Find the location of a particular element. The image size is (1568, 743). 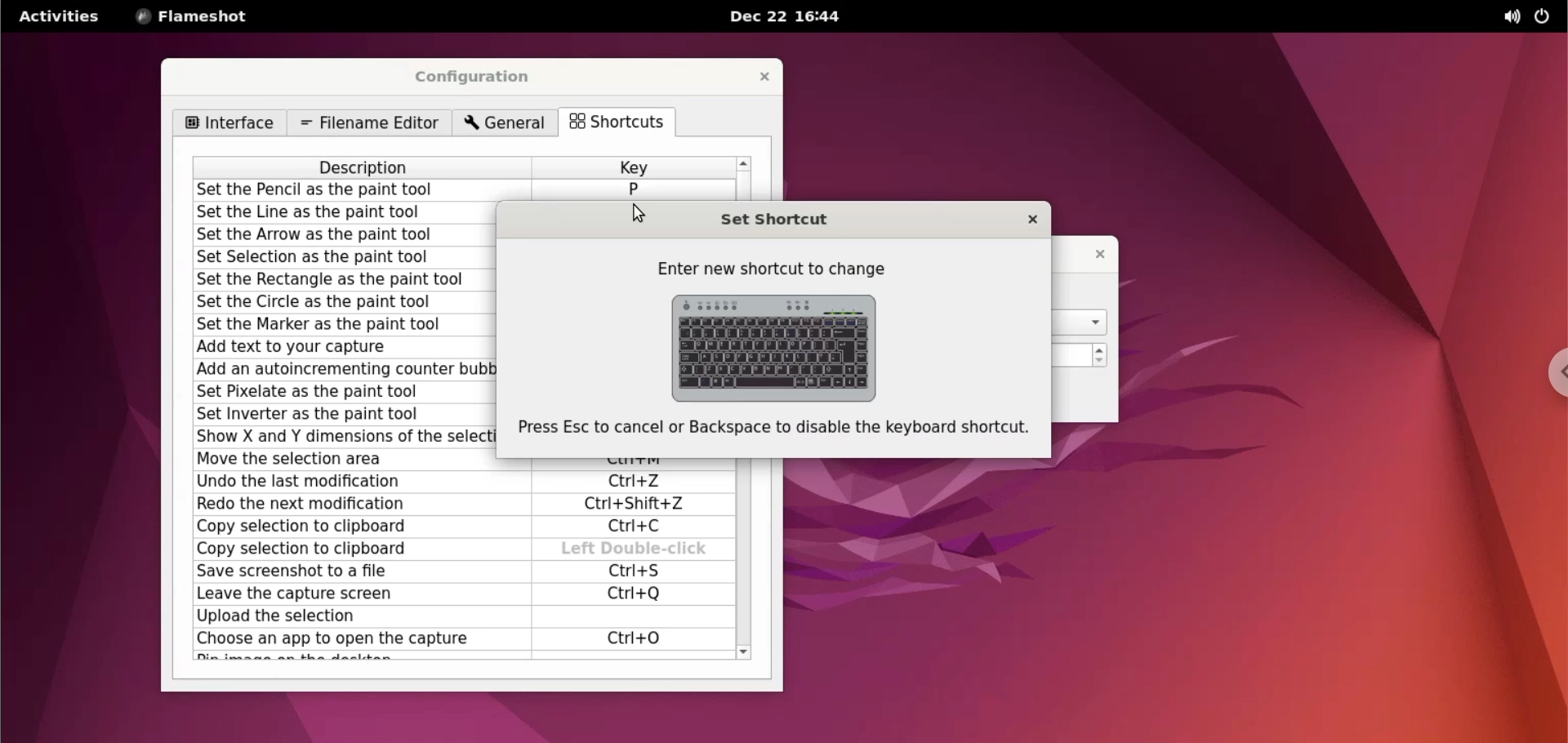

add an autoincrementing counter bubble  is located at coordinates (344, 371).